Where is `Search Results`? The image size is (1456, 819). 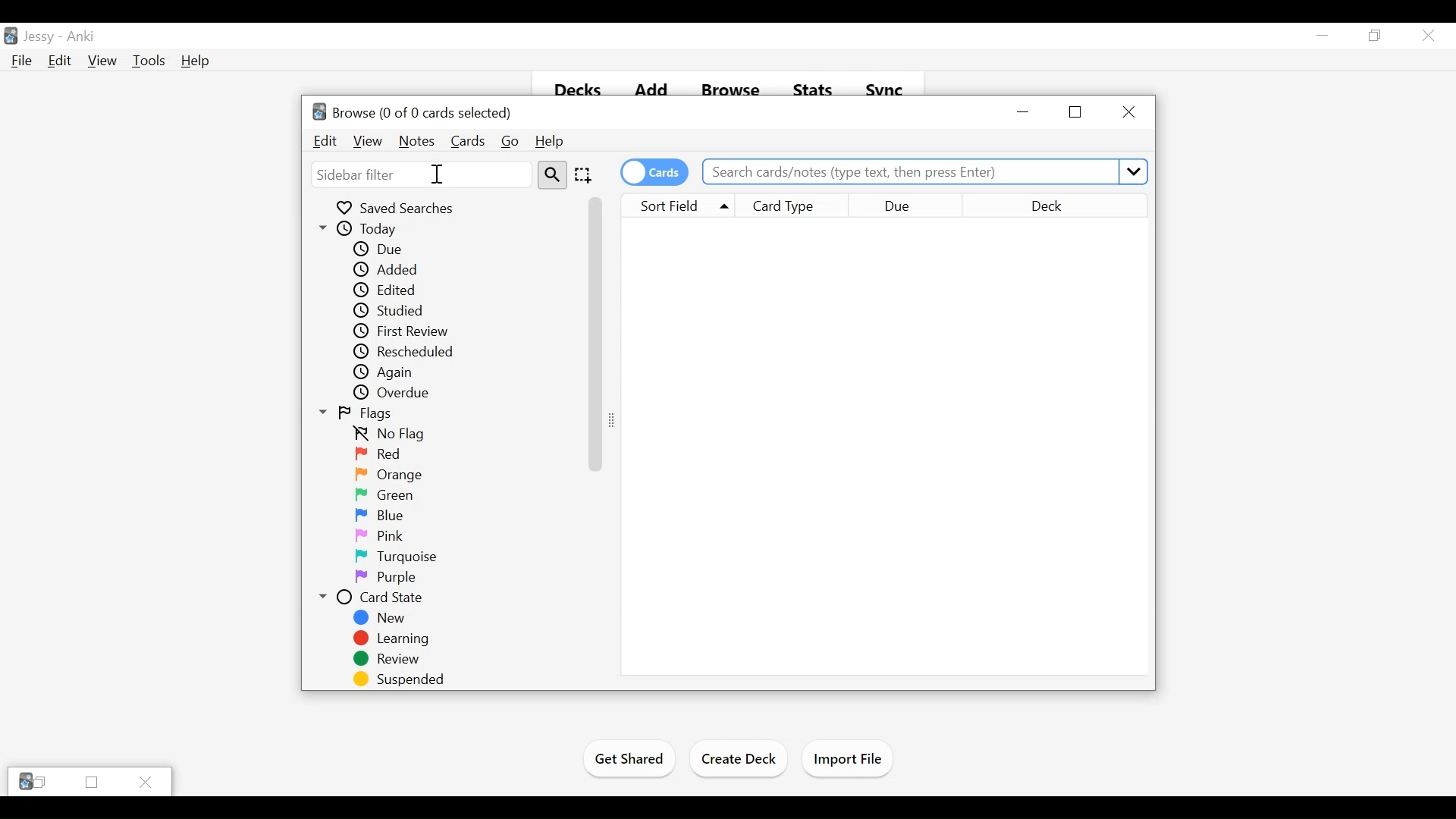 Search Results is located at coordinates (884, 447).